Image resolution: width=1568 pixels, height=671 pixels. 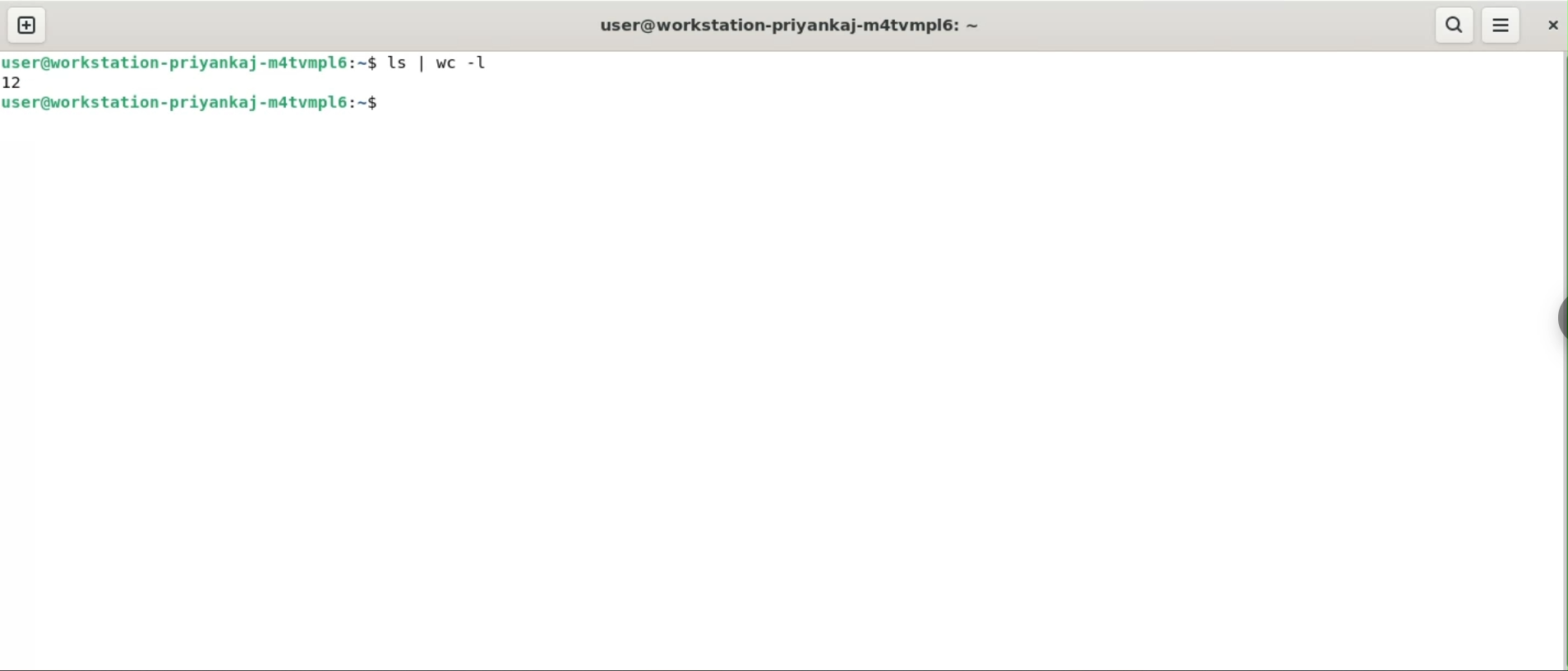 I want to click on new tab, so click(x=26, y=25).